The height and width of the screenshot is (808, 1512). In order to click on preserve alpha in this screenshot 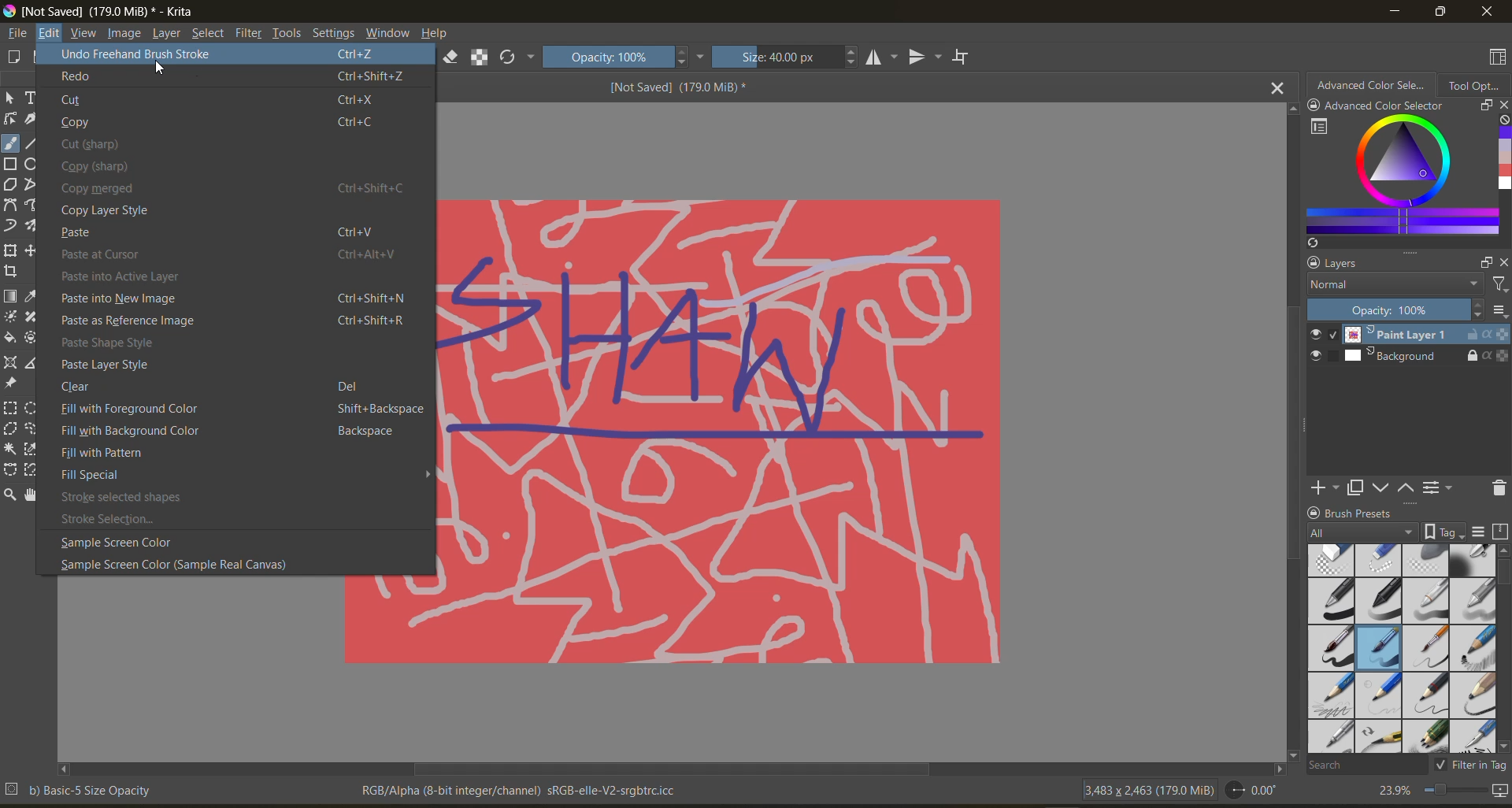, I will do `click(483, 59)`.